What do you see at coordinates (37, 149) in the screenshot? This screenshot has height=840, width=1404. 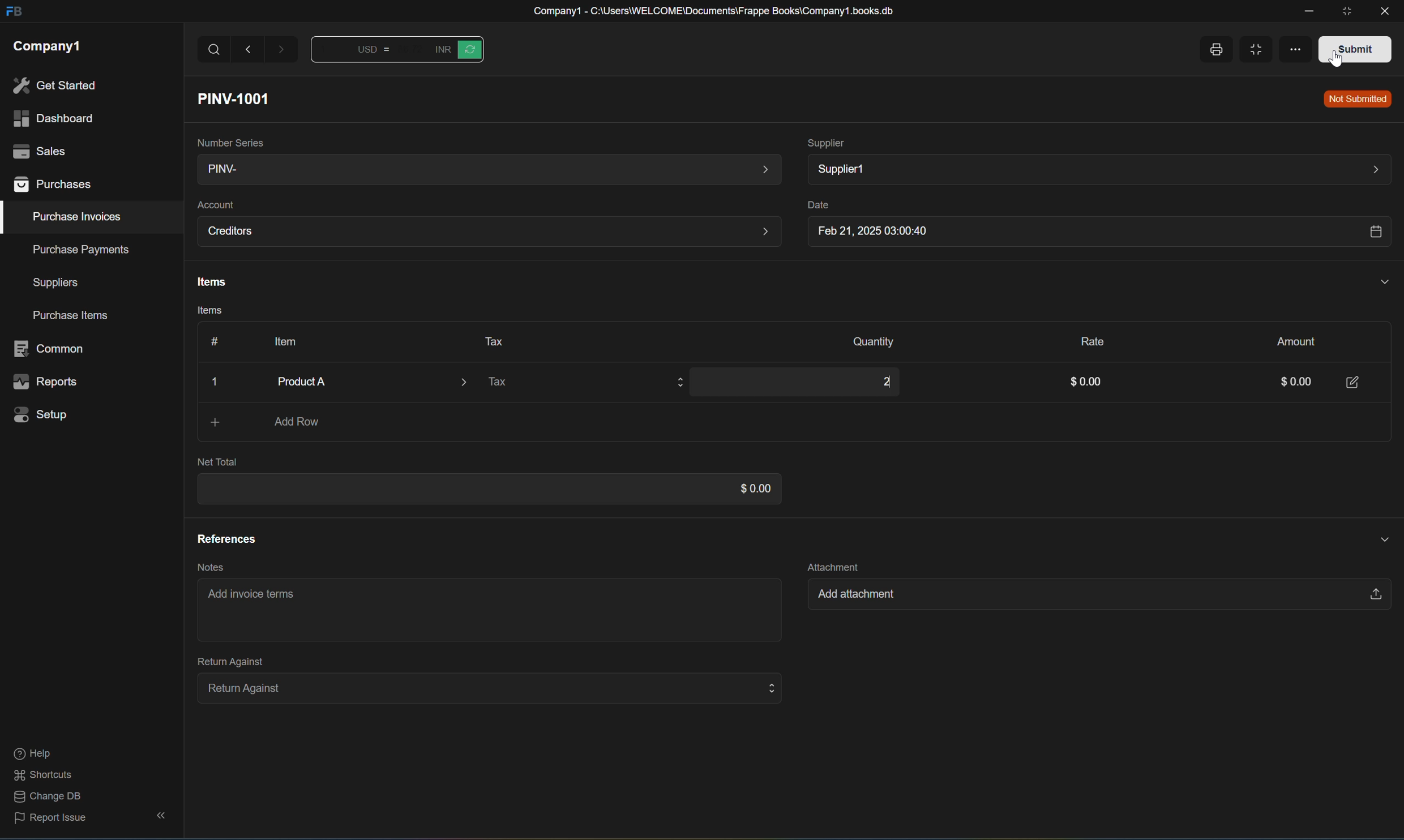 I see `sales` at bounding box center [37, 149].